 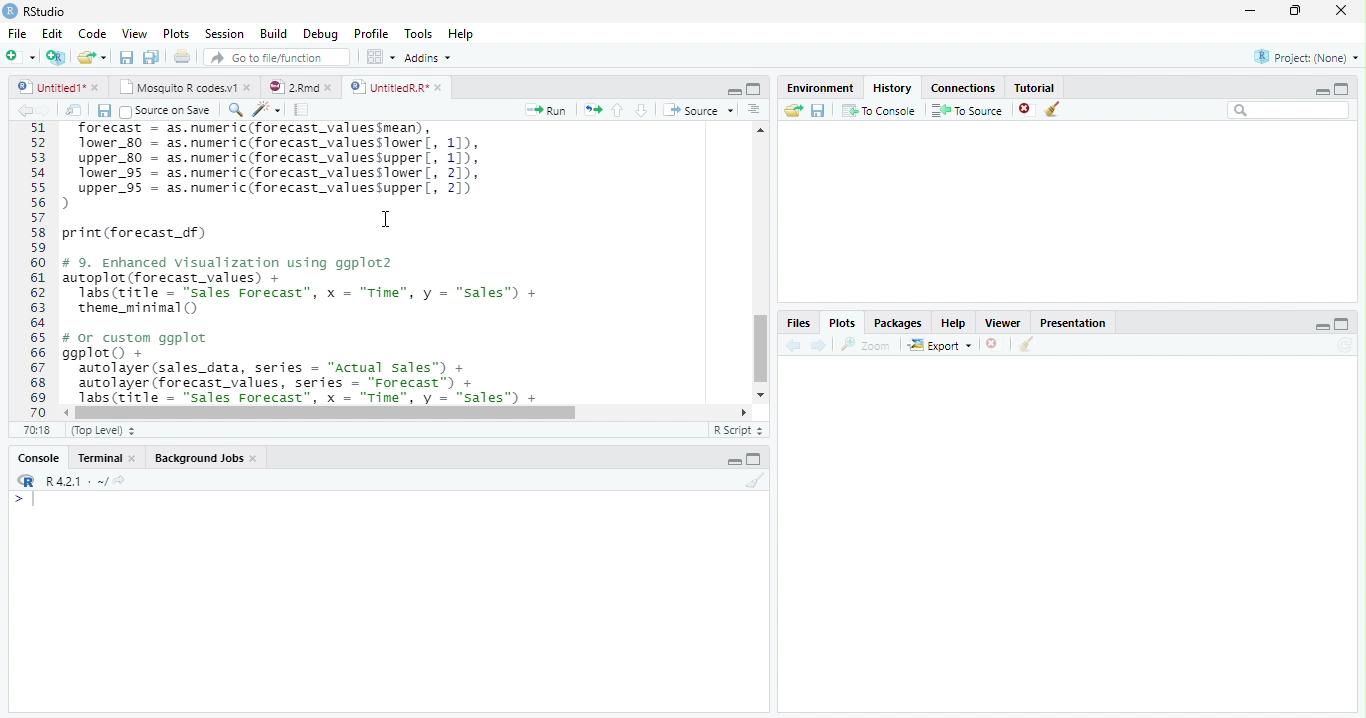 I want to click on Close, so click(x=1343, y=11).